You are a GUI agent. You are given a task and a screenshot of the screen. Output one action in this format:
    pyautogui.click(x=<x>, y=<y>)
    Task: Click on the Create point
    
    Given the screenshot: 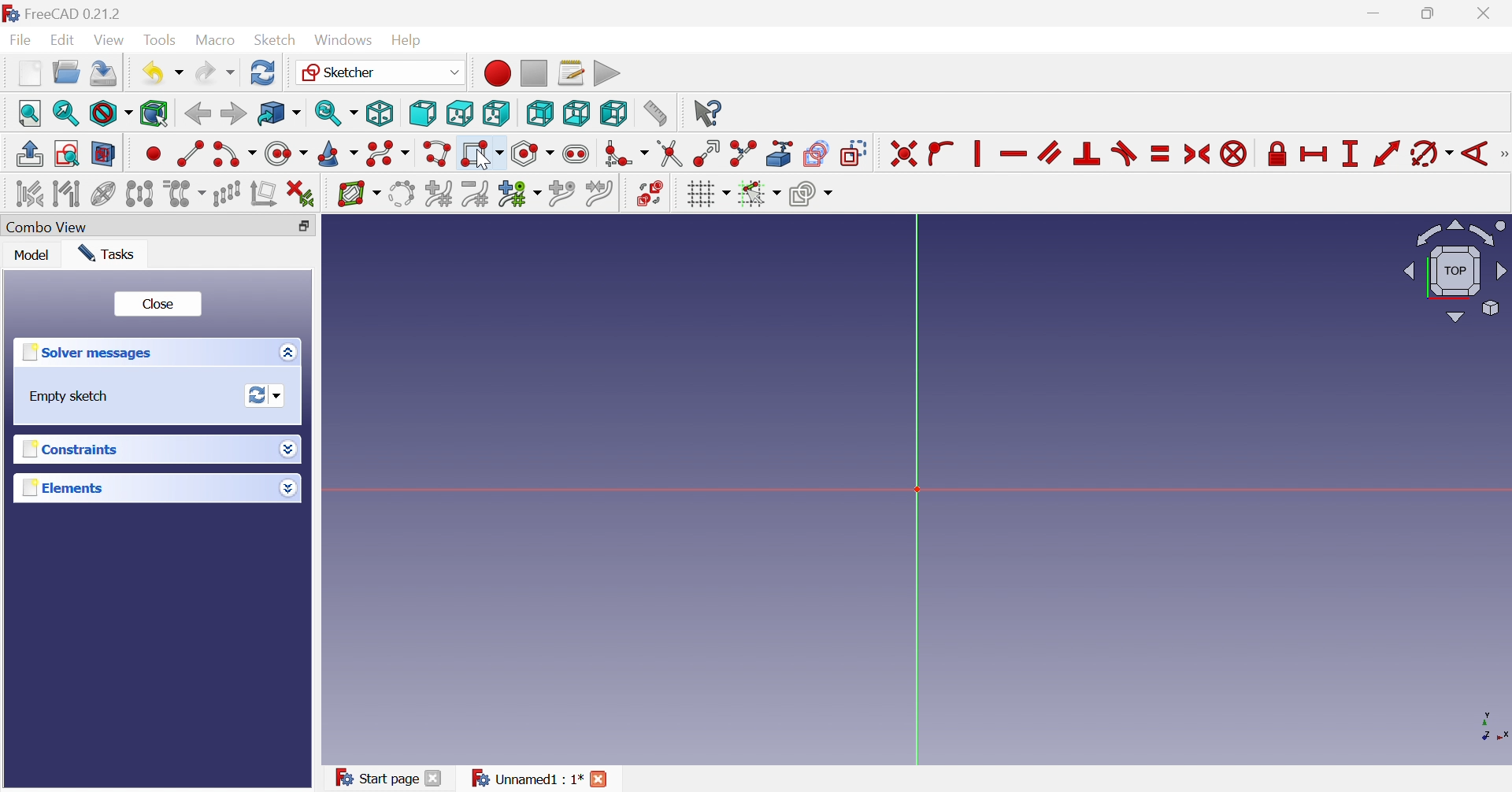 What is the action you would take?
    pyautogui.click(x=154, y=153)
    